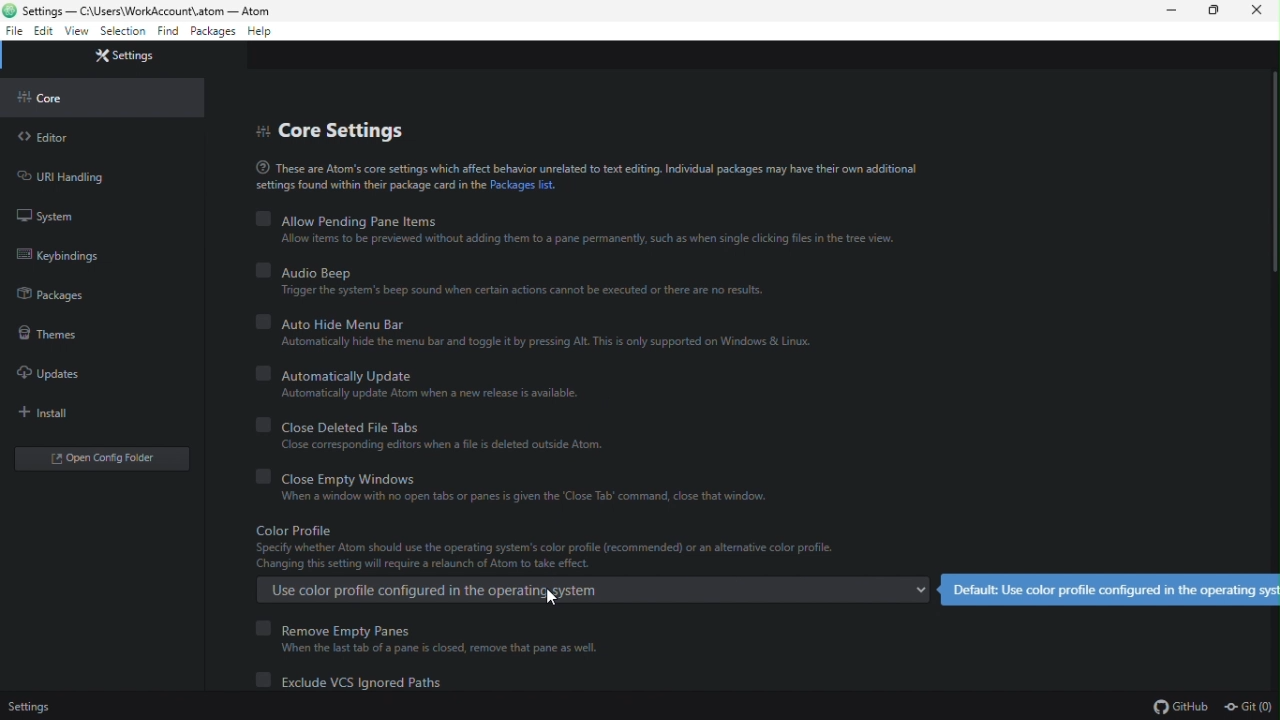 This screenshot has width=1280, height=720. What do you see at coordinates (1109, 589) in the screenshot?
I see `default ` at bounding box center [1109, 589].